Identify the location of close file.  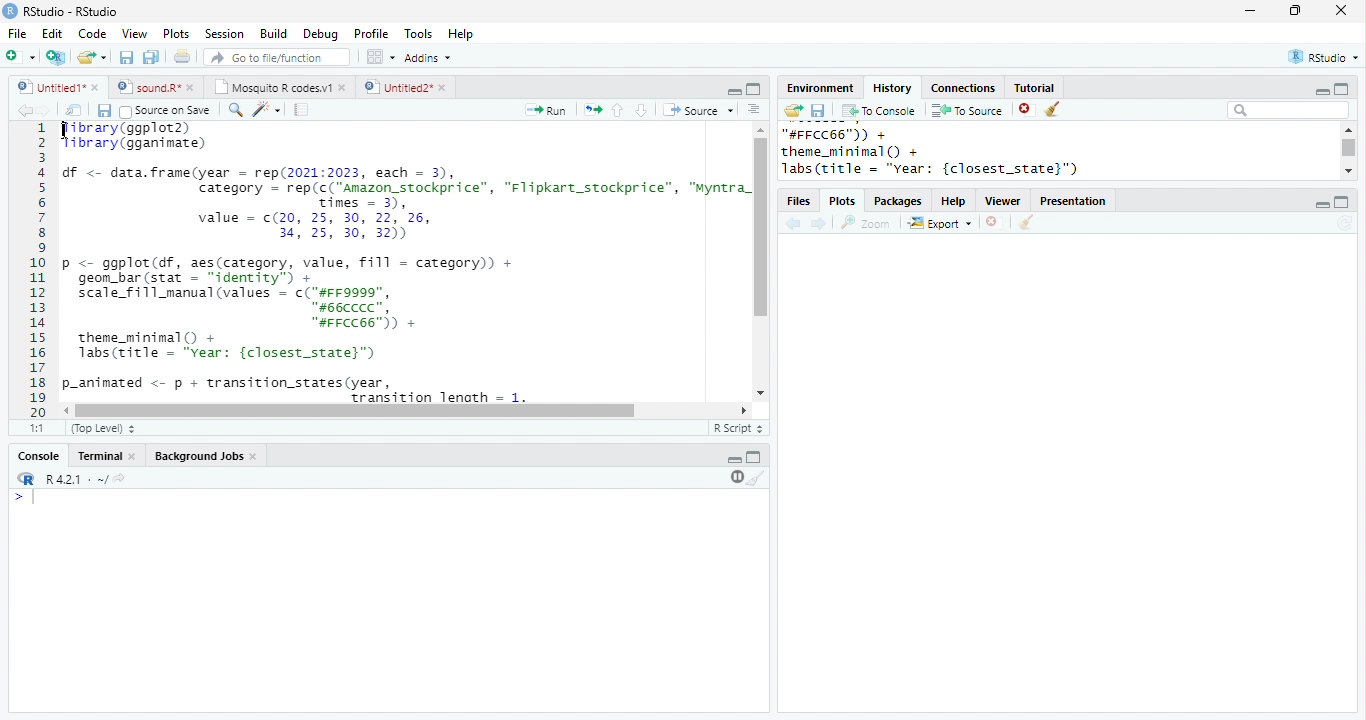
(1027, 109).